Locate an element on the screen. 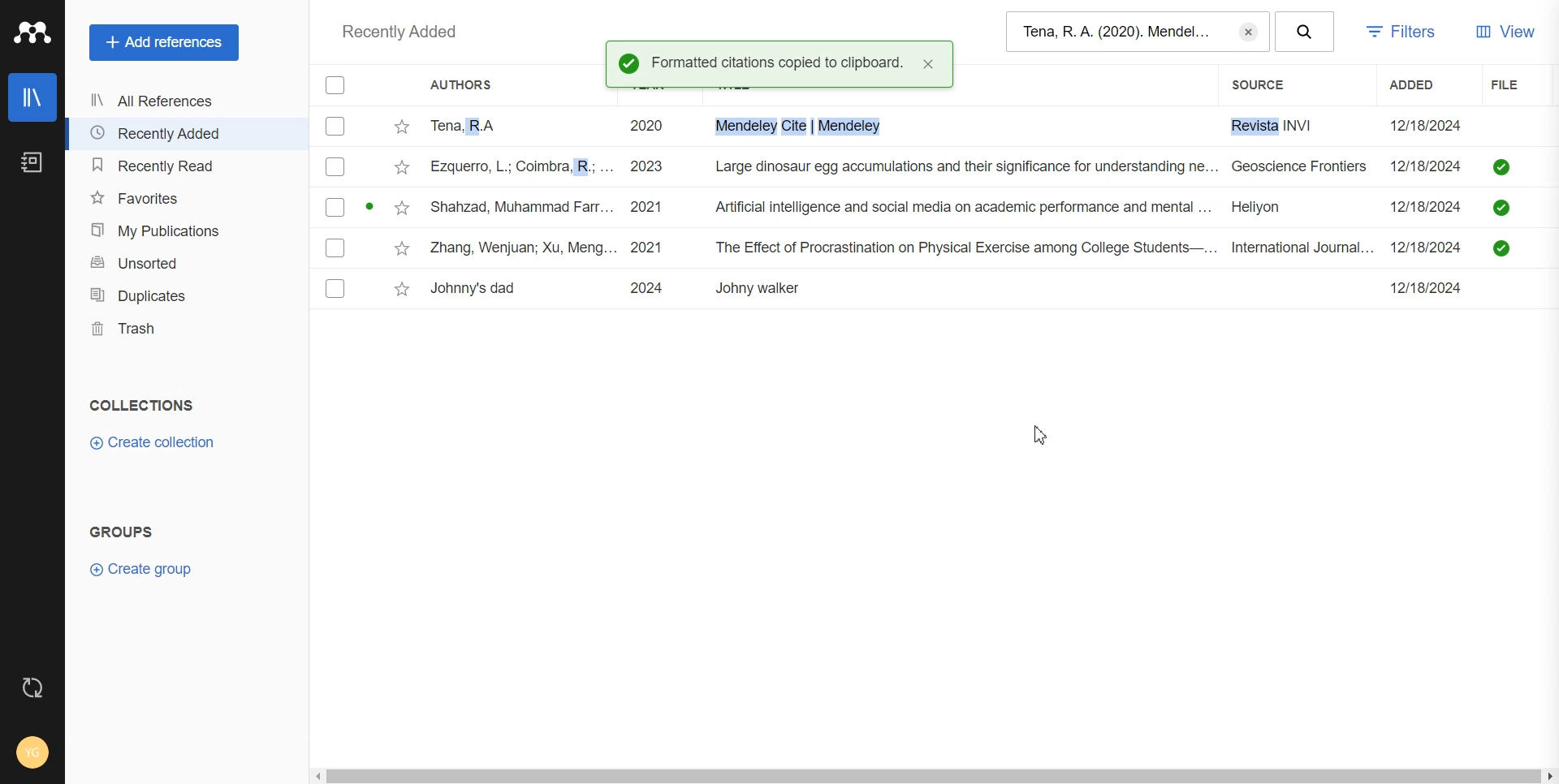  Auto sync is located at coordinates (33, 687).